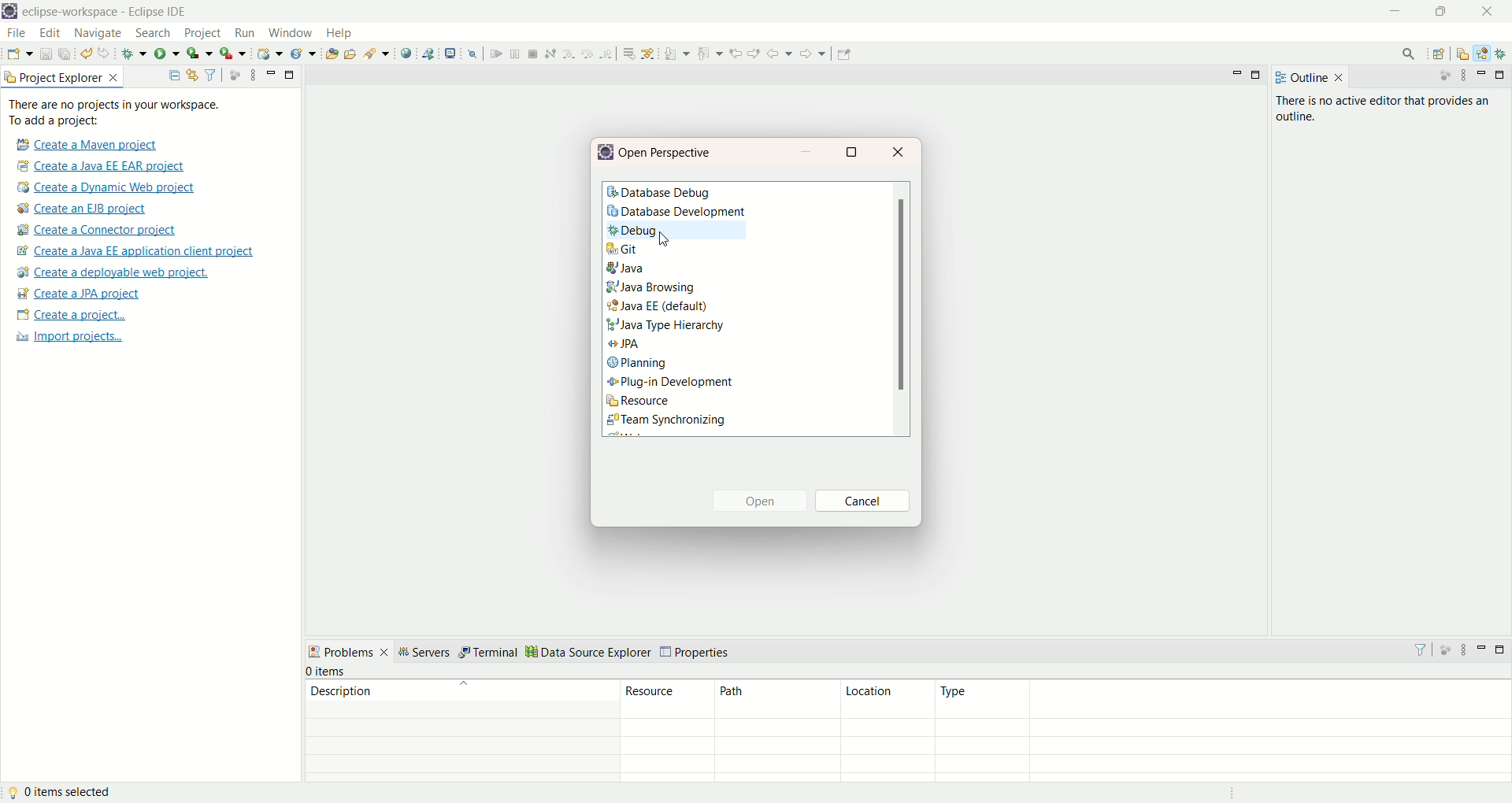 Image resolution: width=1512 pixels, height=803 pixels. Describe the element at coordinates (1482, 649) in the screenshot. I see `minimize` at that location.